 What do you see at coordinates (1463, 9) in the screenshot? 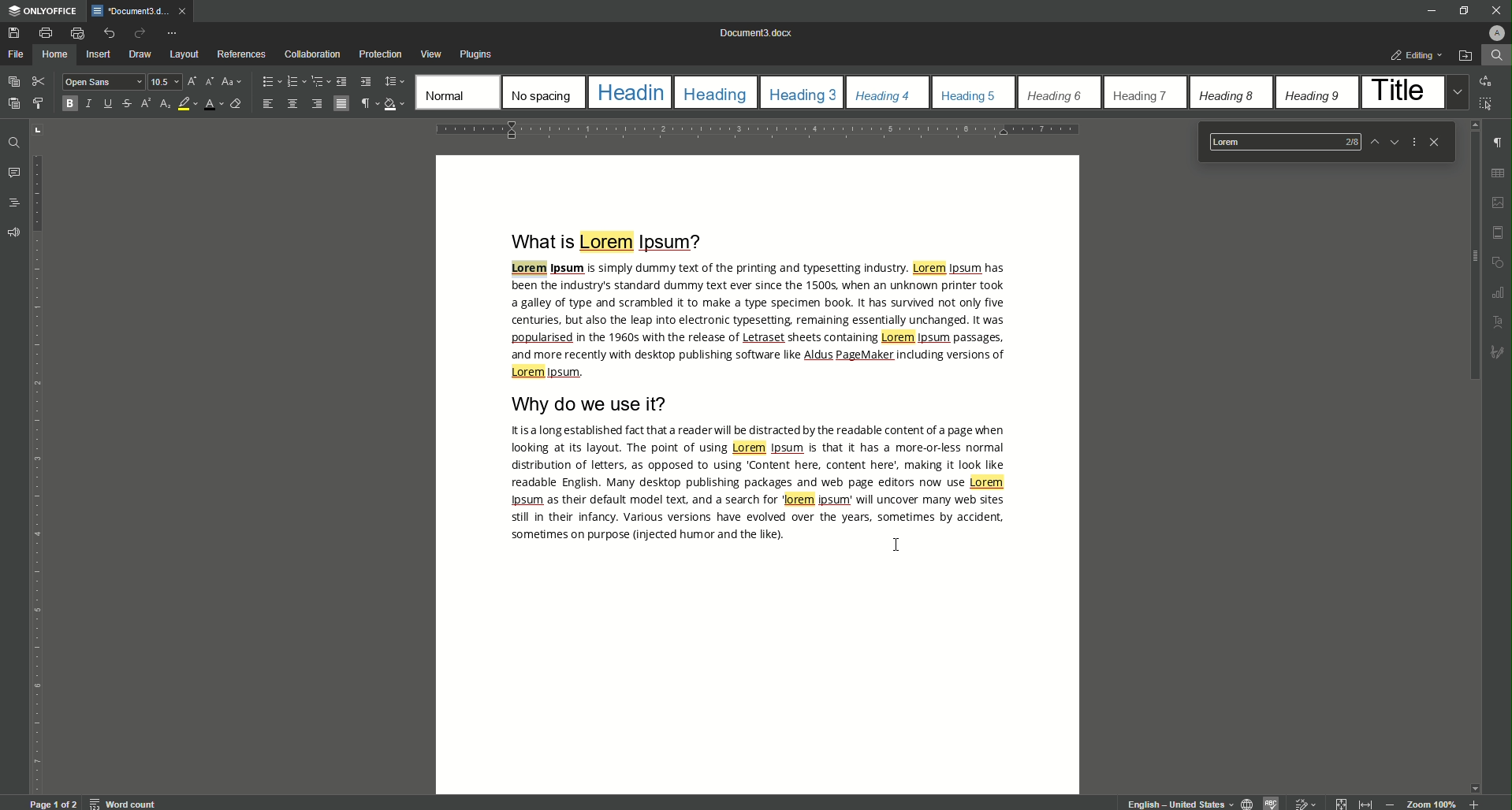
I see `Restore` at bounding box center [1463, 9].